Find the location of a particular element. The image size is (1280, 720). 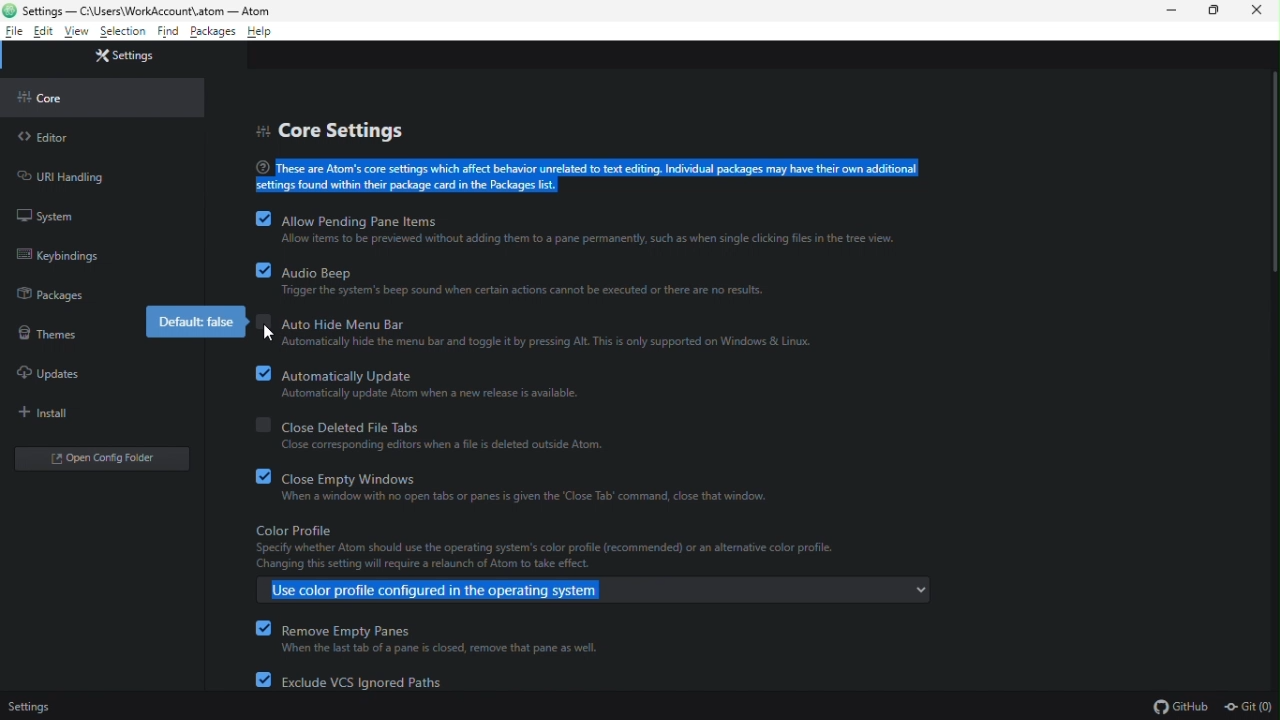

system is located at coordinates (52, 218).